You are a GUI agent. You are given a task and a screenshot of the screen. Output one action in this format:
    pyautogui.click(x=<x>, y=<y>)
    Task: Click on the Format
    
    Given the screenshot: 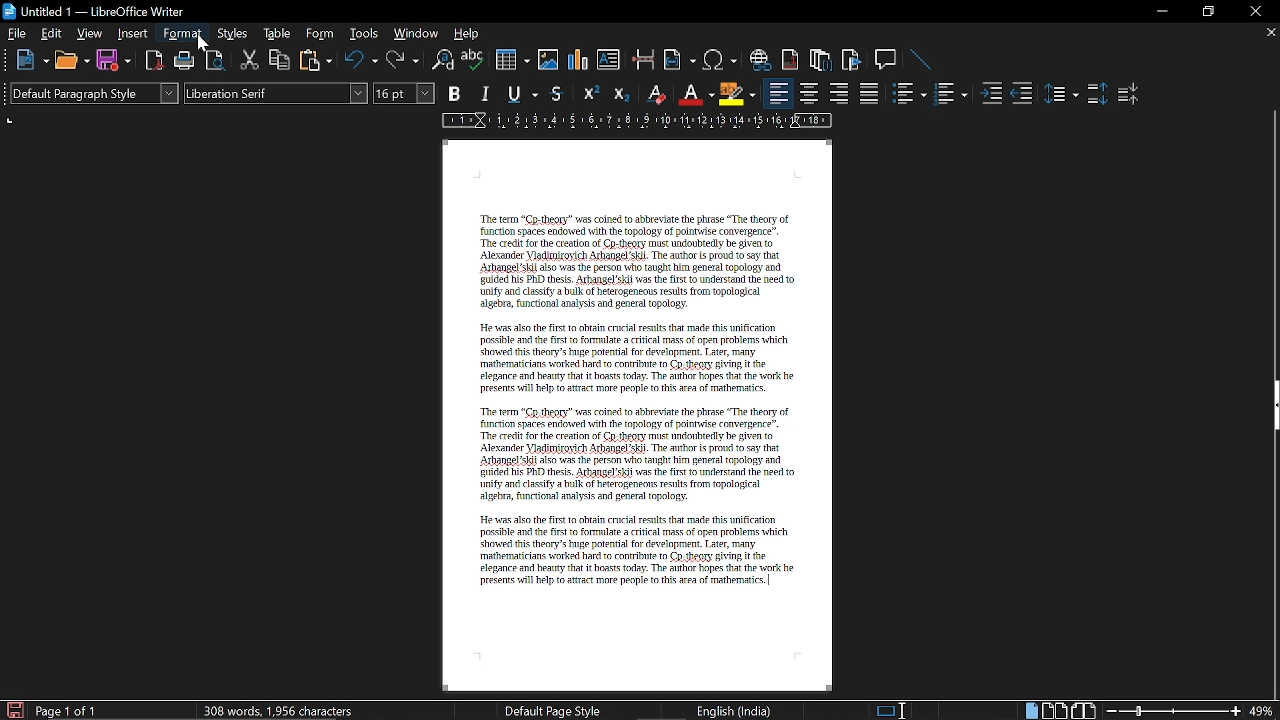 What is the action you would take?
    pyautogui.click(x=186, y=33)
    